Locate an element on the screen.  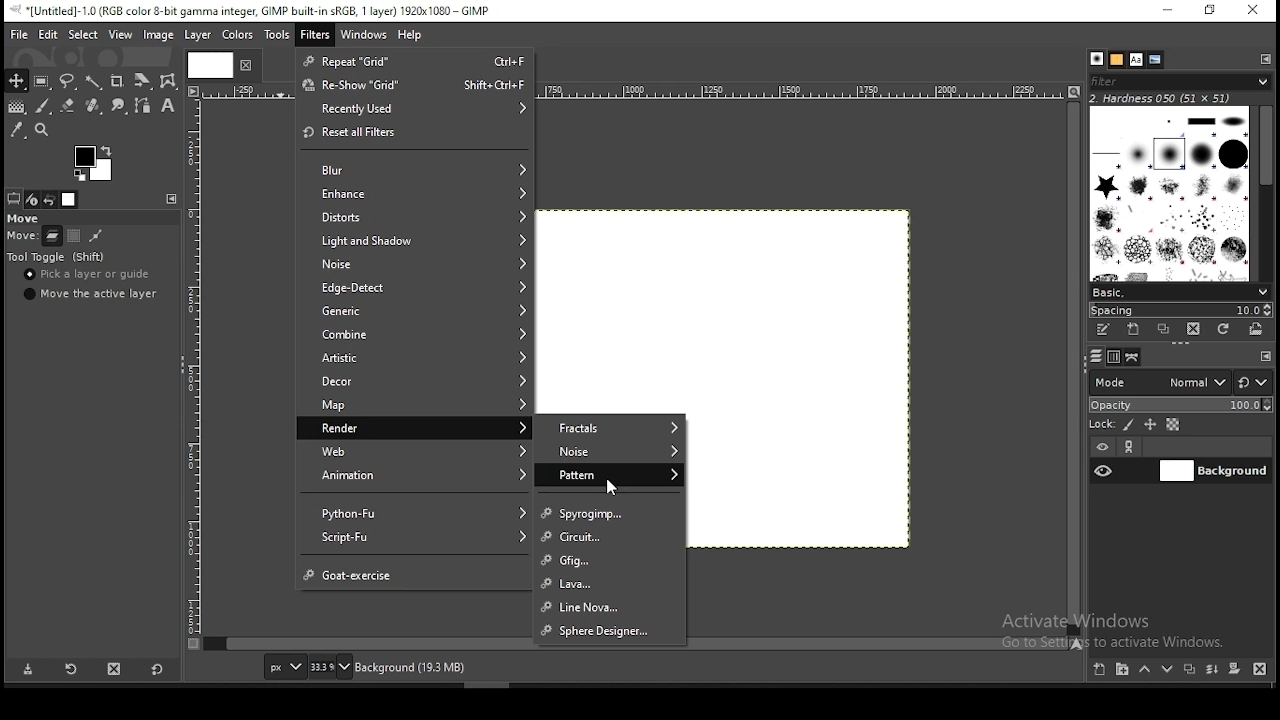
cinfigure this tab is located at coordinates (1266, 60).